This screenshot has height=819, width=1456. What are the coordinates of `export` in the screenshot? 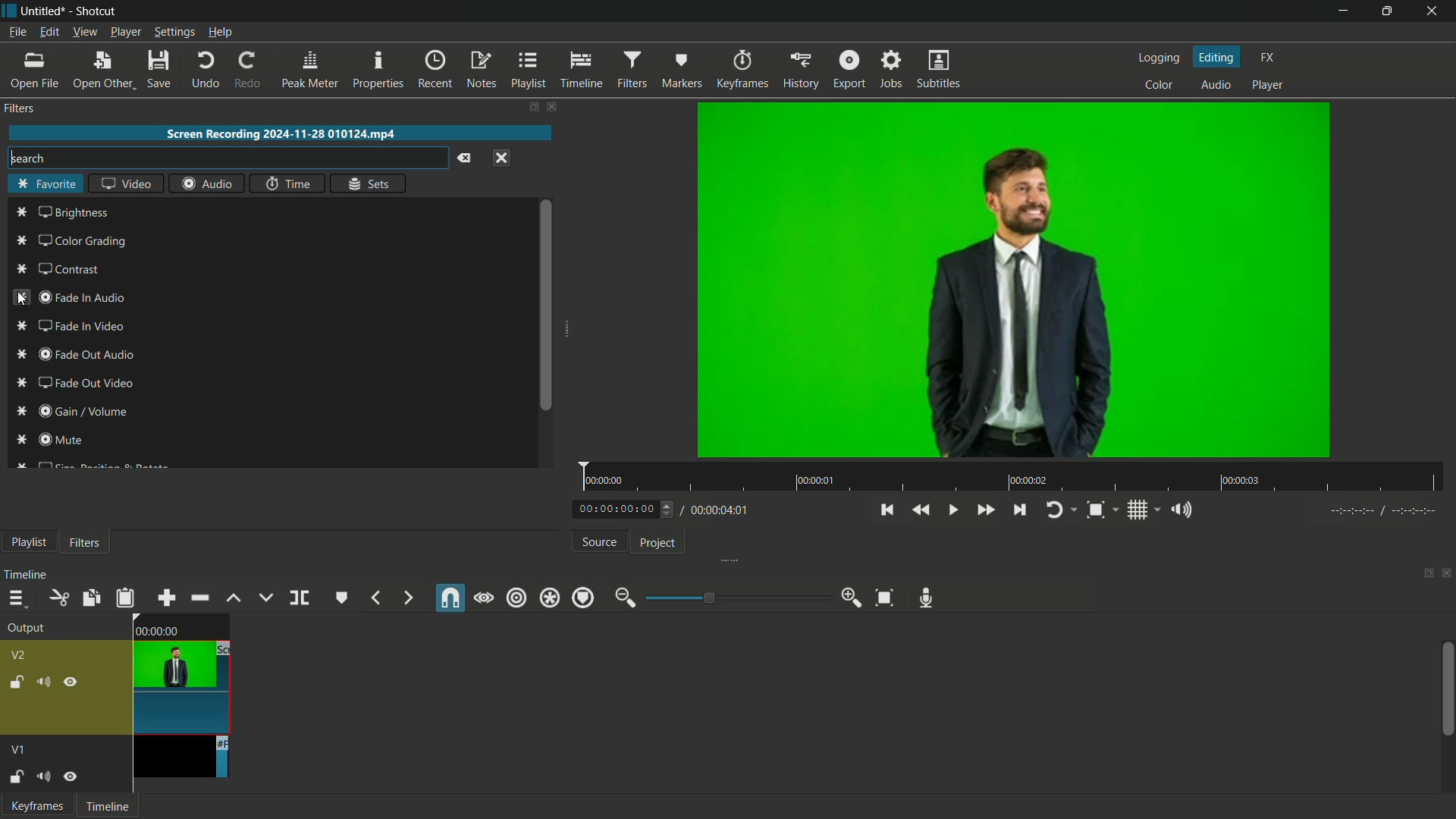 It's located at (846, 71).